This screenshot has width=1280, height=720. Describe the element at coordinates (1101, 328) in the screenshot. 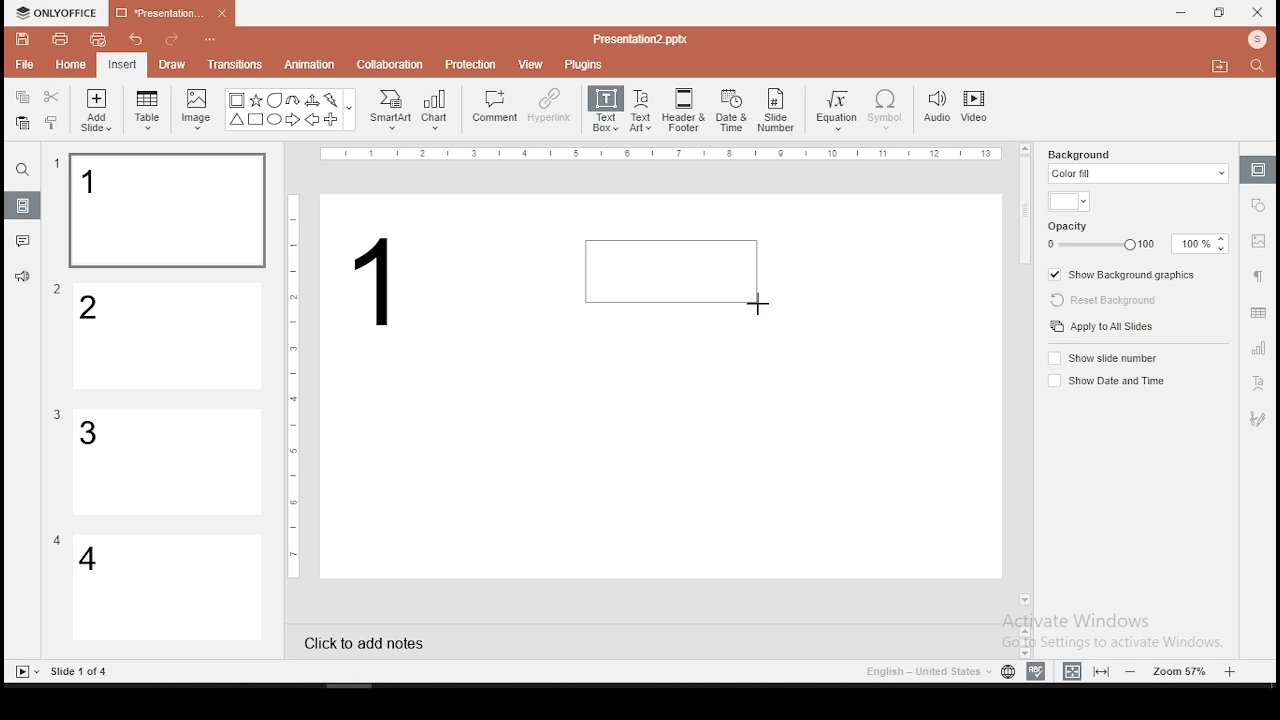

I see `apply to all slides` at that location.